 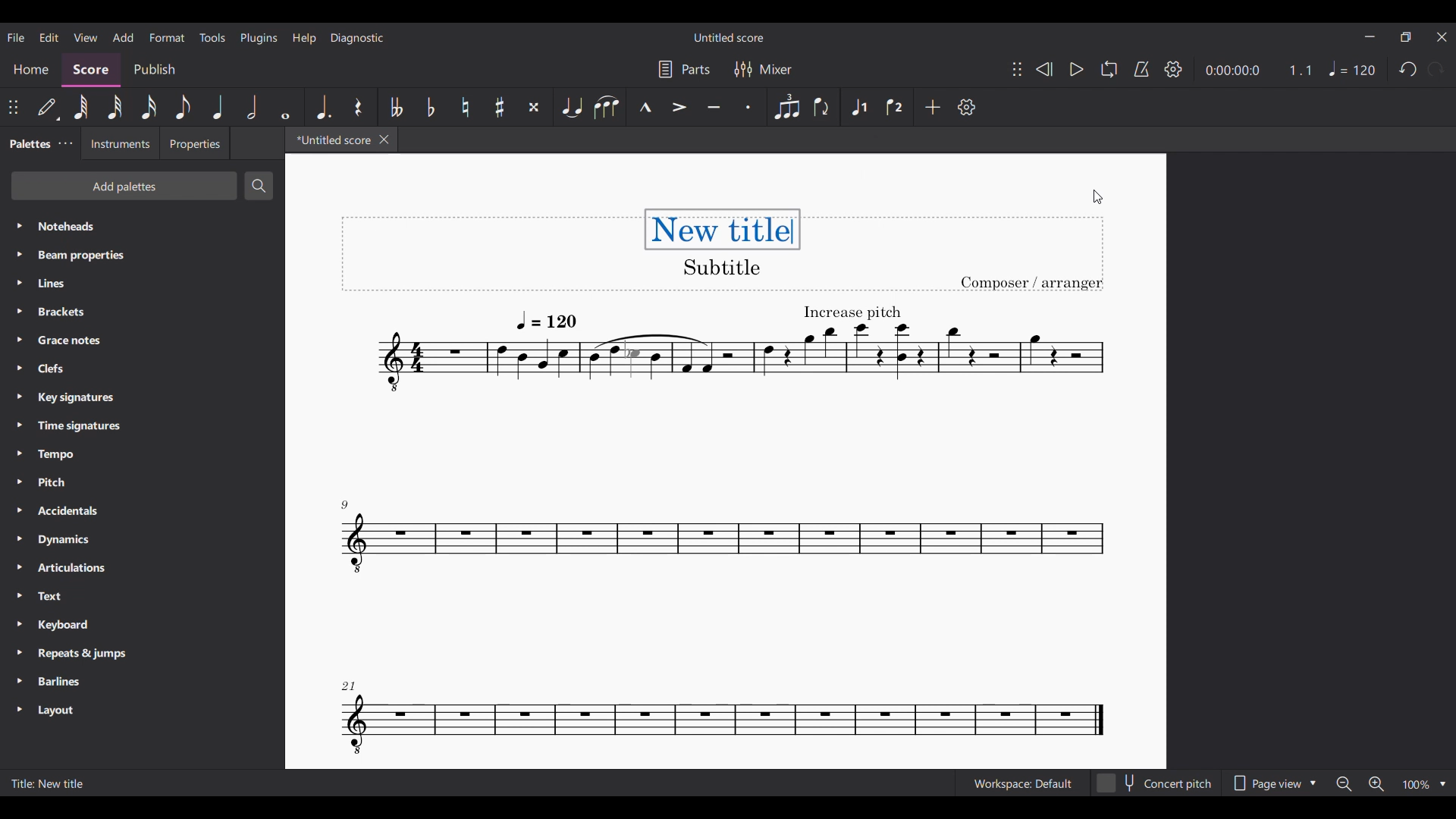 I want to click on Toggle flat, so click(x=431, y=107).